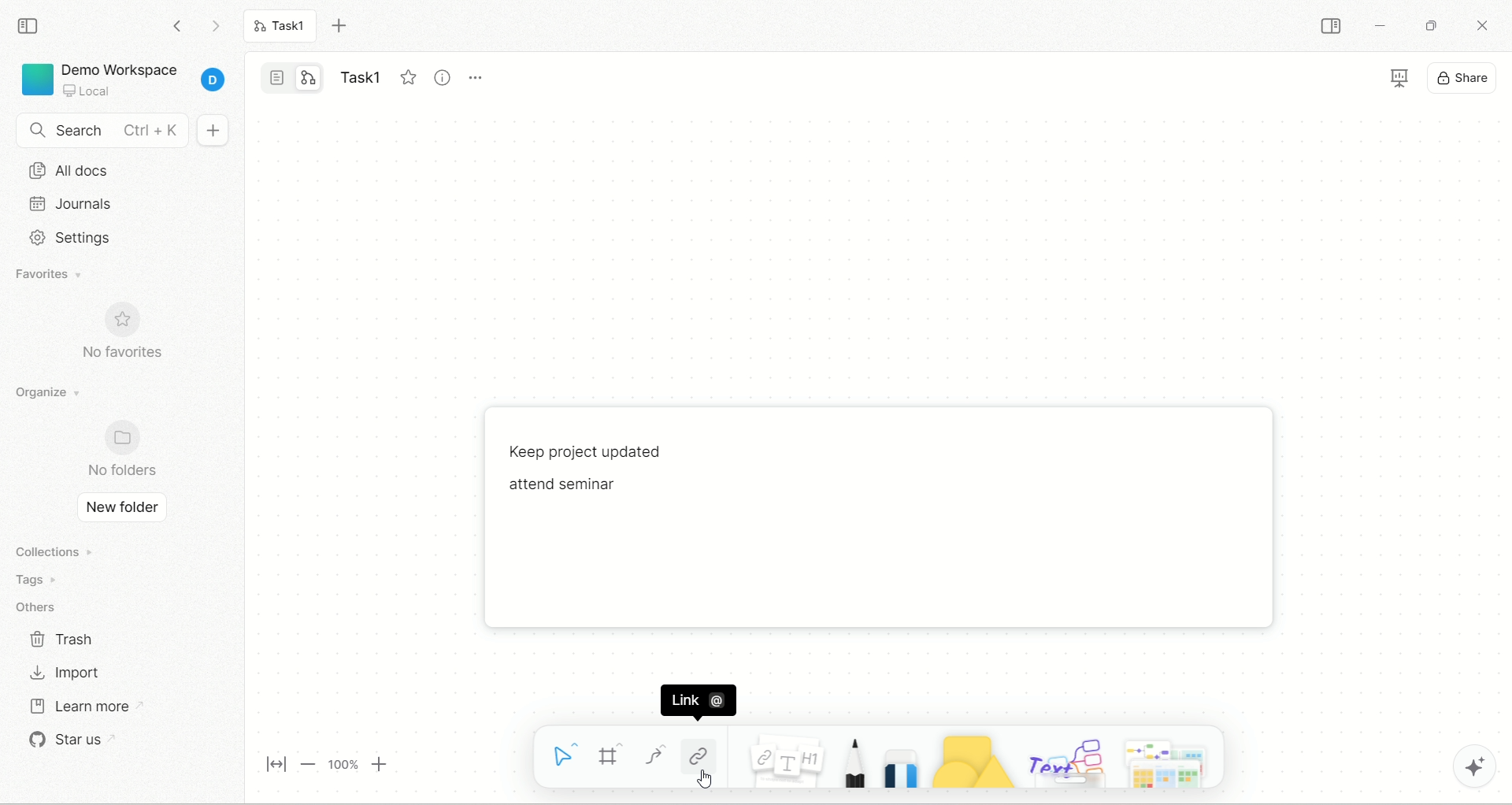 The image size is (1512, 805). What do you see at coordinates (121, 509) in the screenshot?
I see `new folder` at bounding box center [121, 509].